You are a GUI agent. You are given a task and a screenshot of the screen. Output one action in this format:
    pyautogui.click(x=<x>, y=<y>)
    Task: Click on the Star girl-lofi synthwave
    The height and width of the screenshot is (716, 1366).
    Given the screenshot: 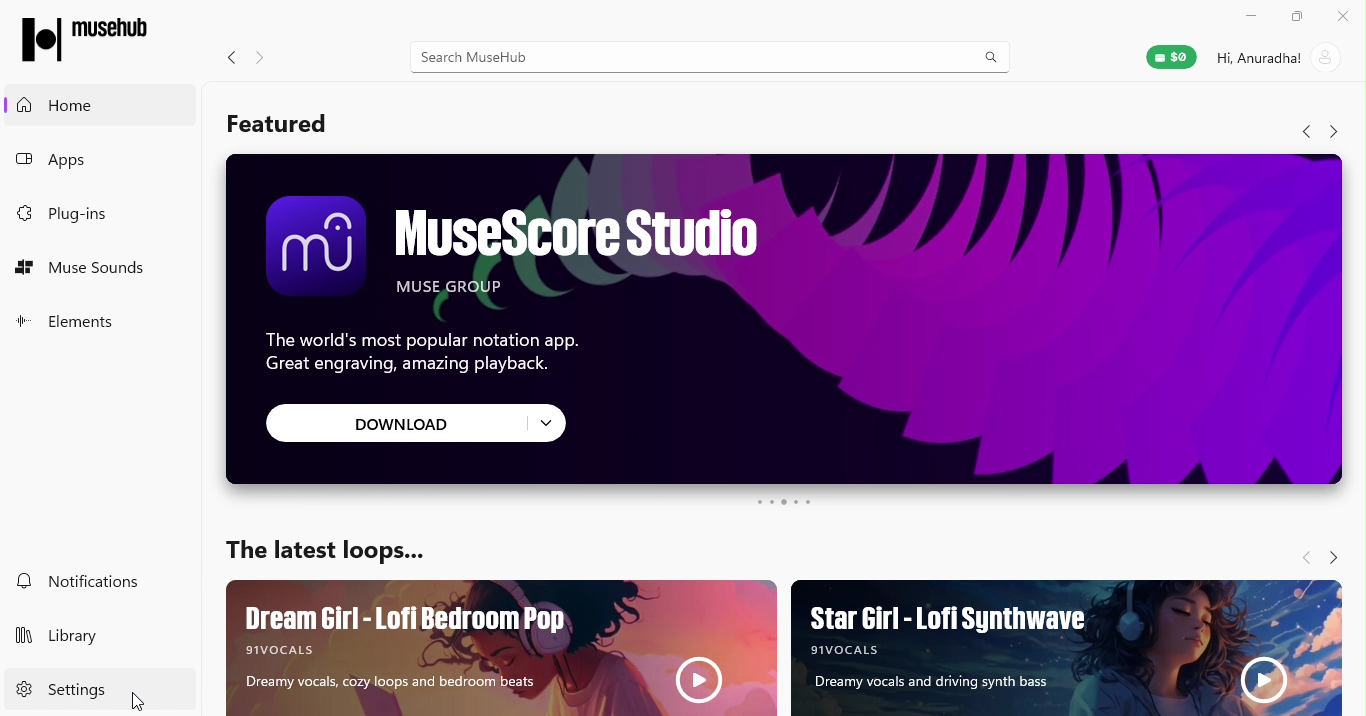 What is the action you would take?
    pyautogui.click(x=1064, y=646)
    